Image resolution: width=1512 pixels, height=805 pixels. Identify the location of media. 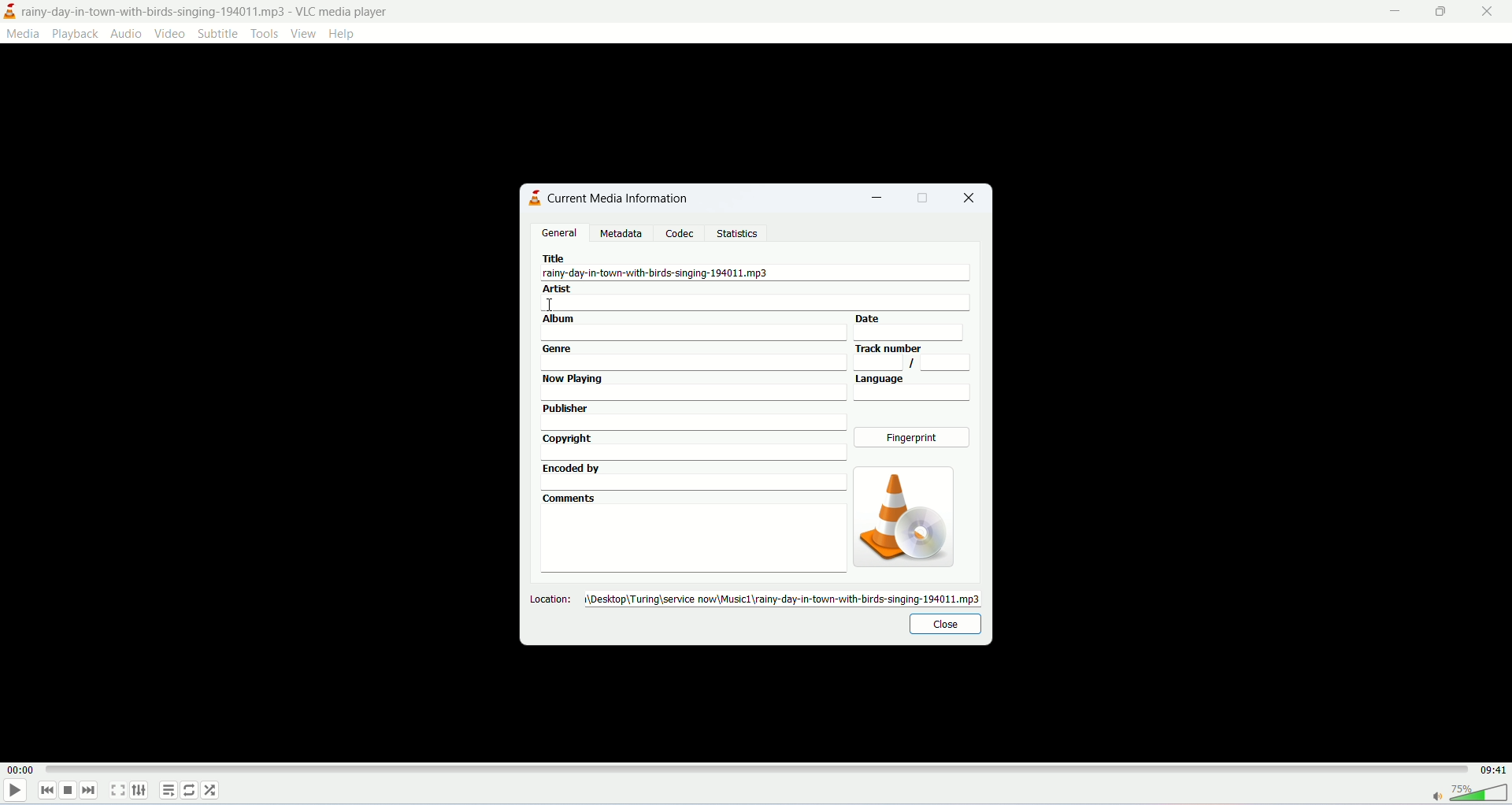
(26, 35).